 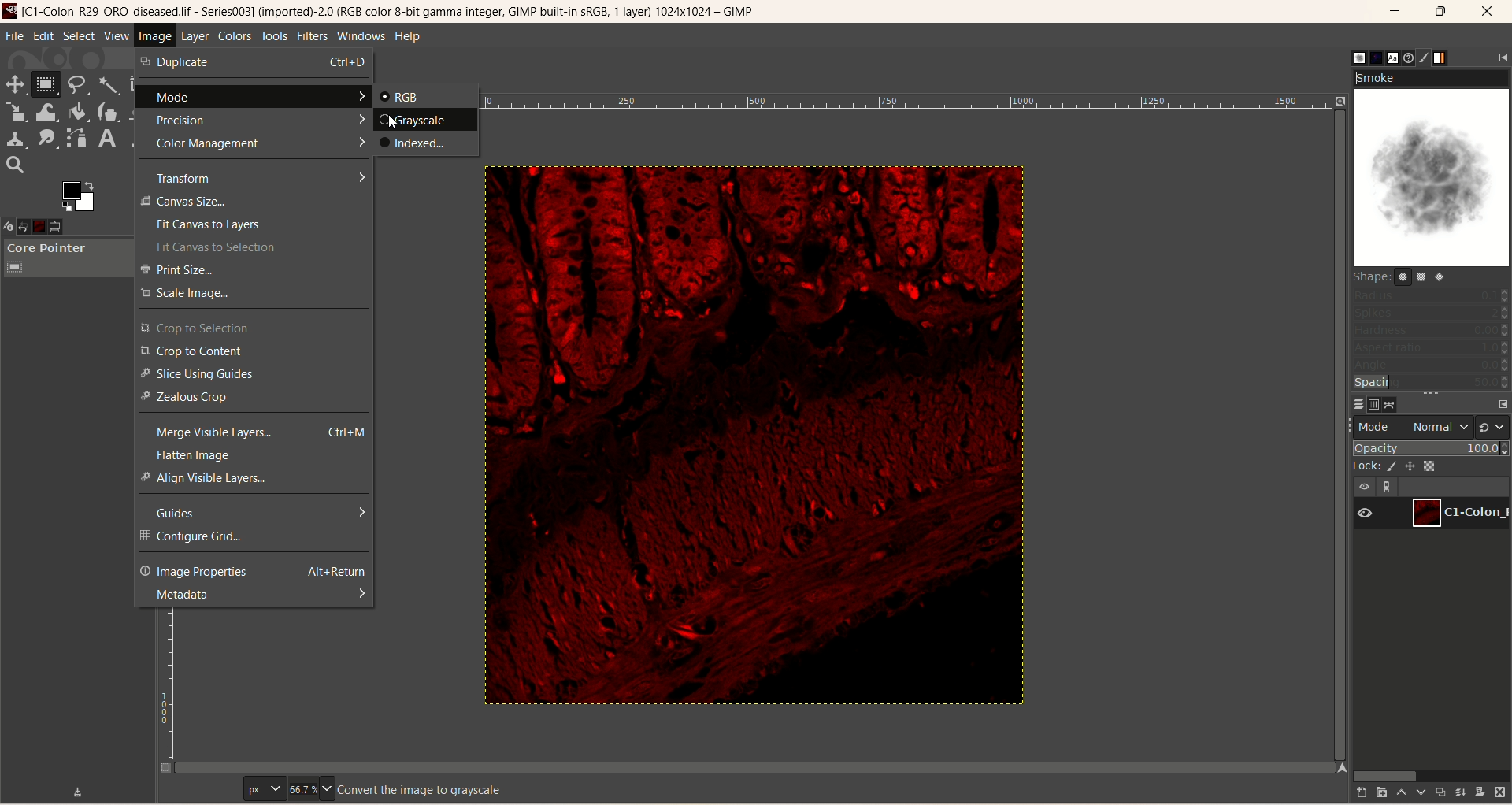 I want to click on save, so click(x=76, y=792).